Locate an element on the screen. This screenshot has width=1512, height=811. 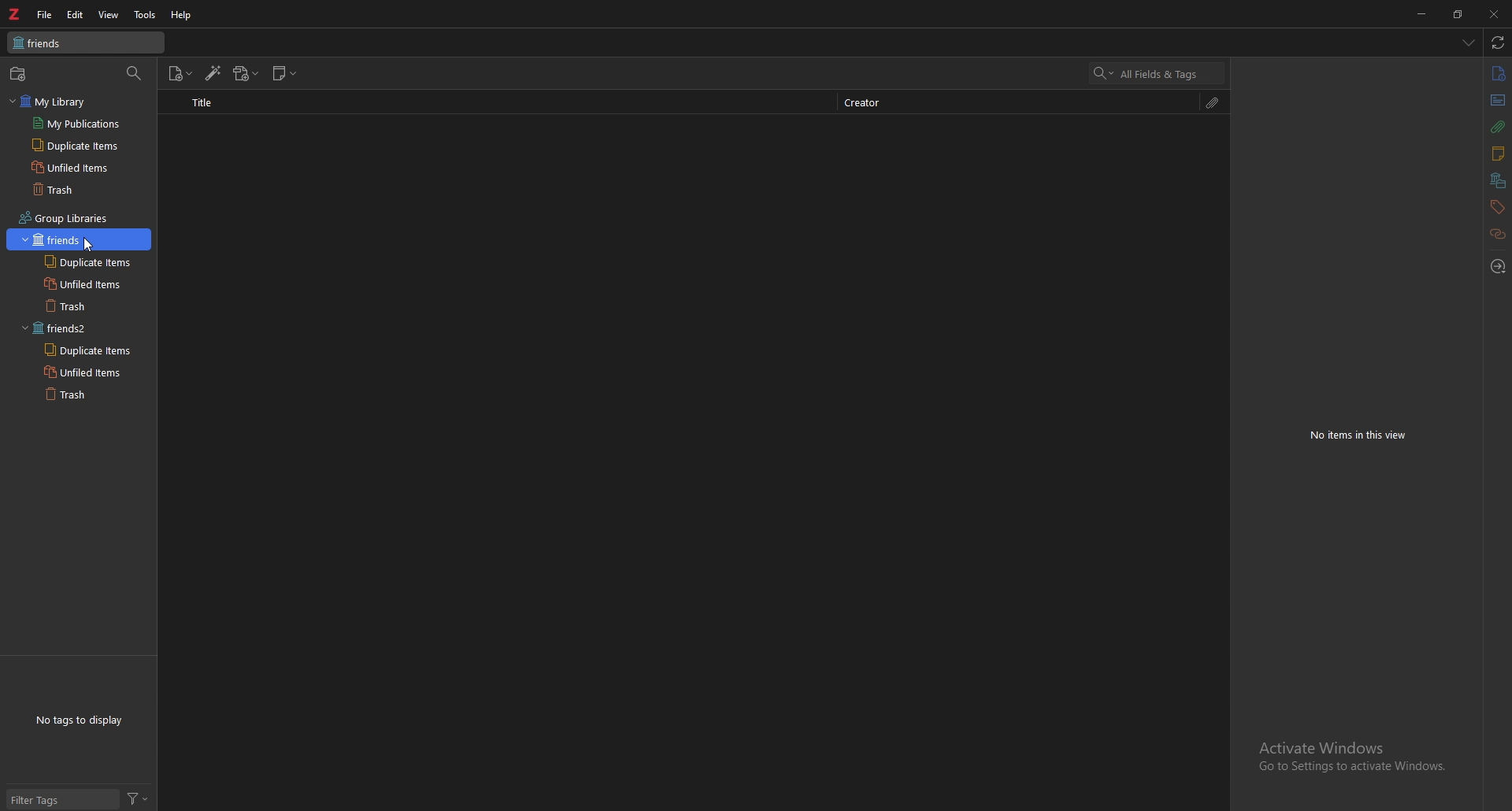
add attachment is located at coordinates (246, 73).